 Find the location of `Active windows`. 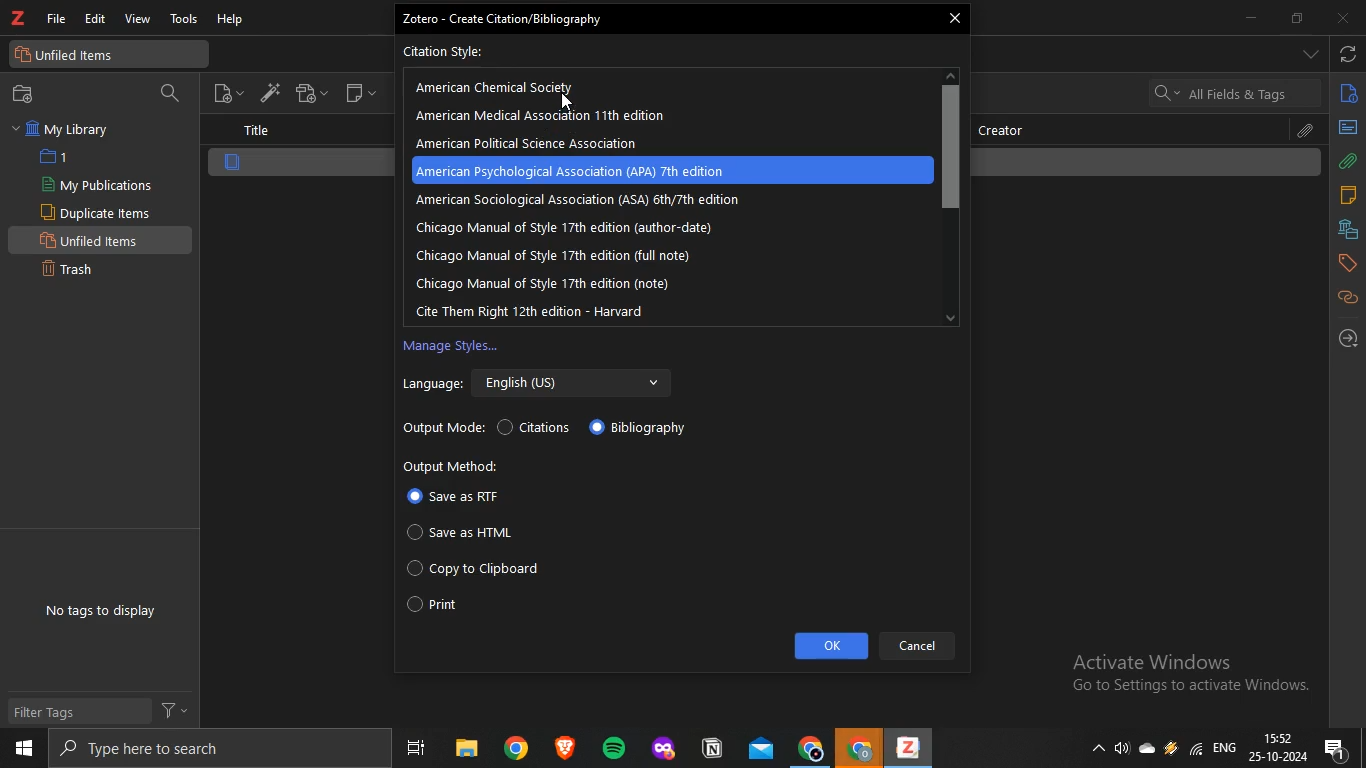

Active windows is located at coordinates (1183, 675).